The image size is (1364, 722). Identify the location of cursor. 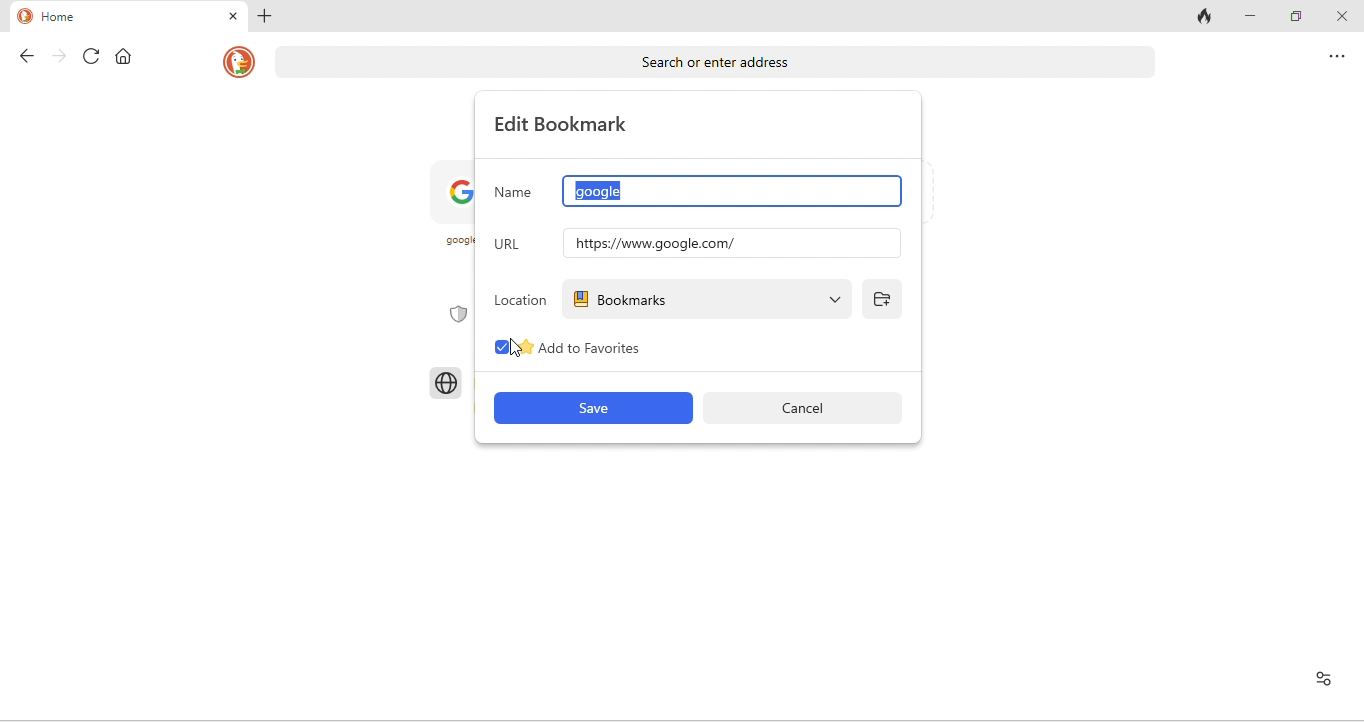
(516, 346).